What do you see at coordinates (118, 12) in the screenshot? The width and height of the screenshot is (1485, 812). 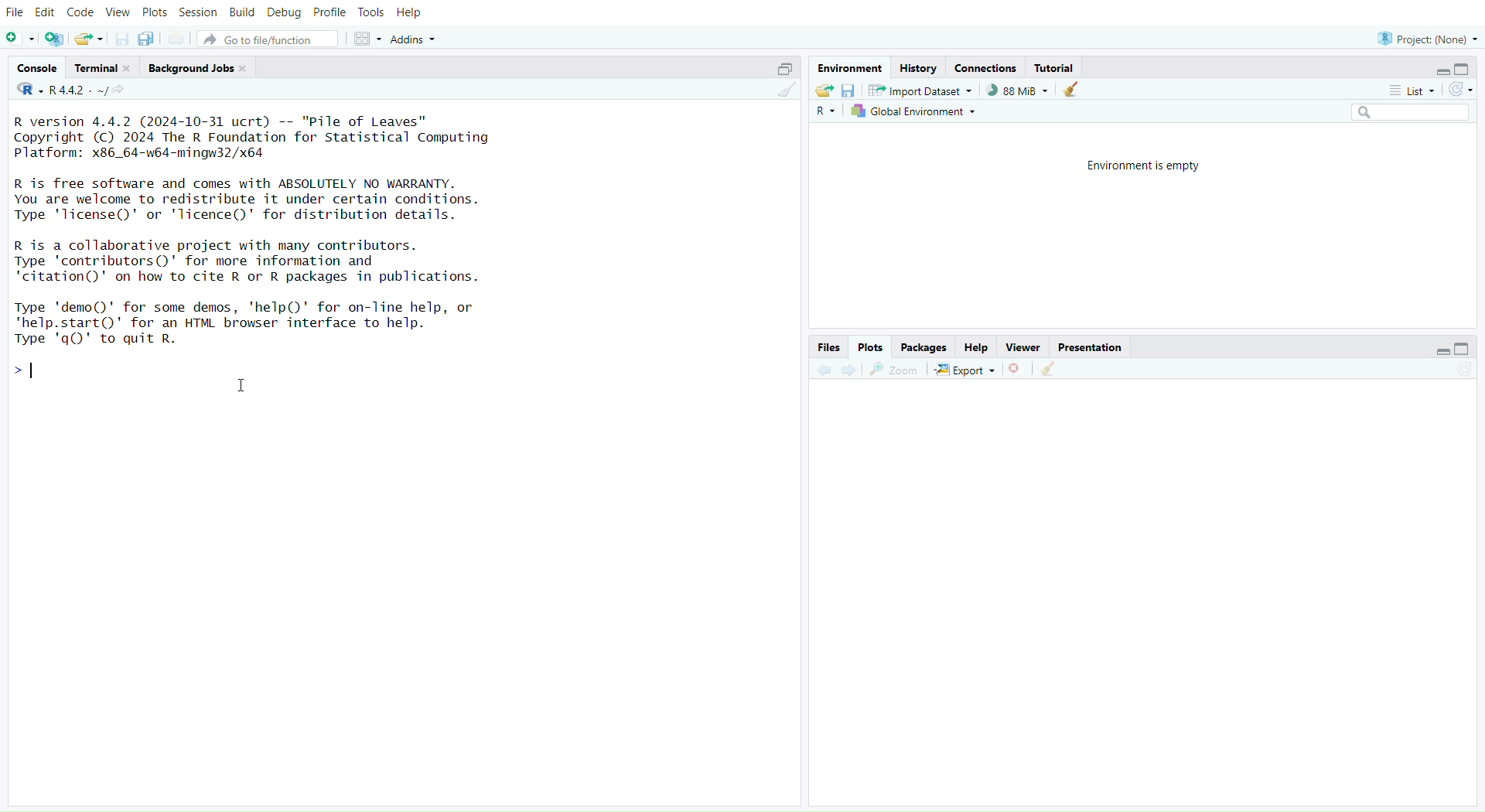 I see `view` at bounding box center [118, 12].